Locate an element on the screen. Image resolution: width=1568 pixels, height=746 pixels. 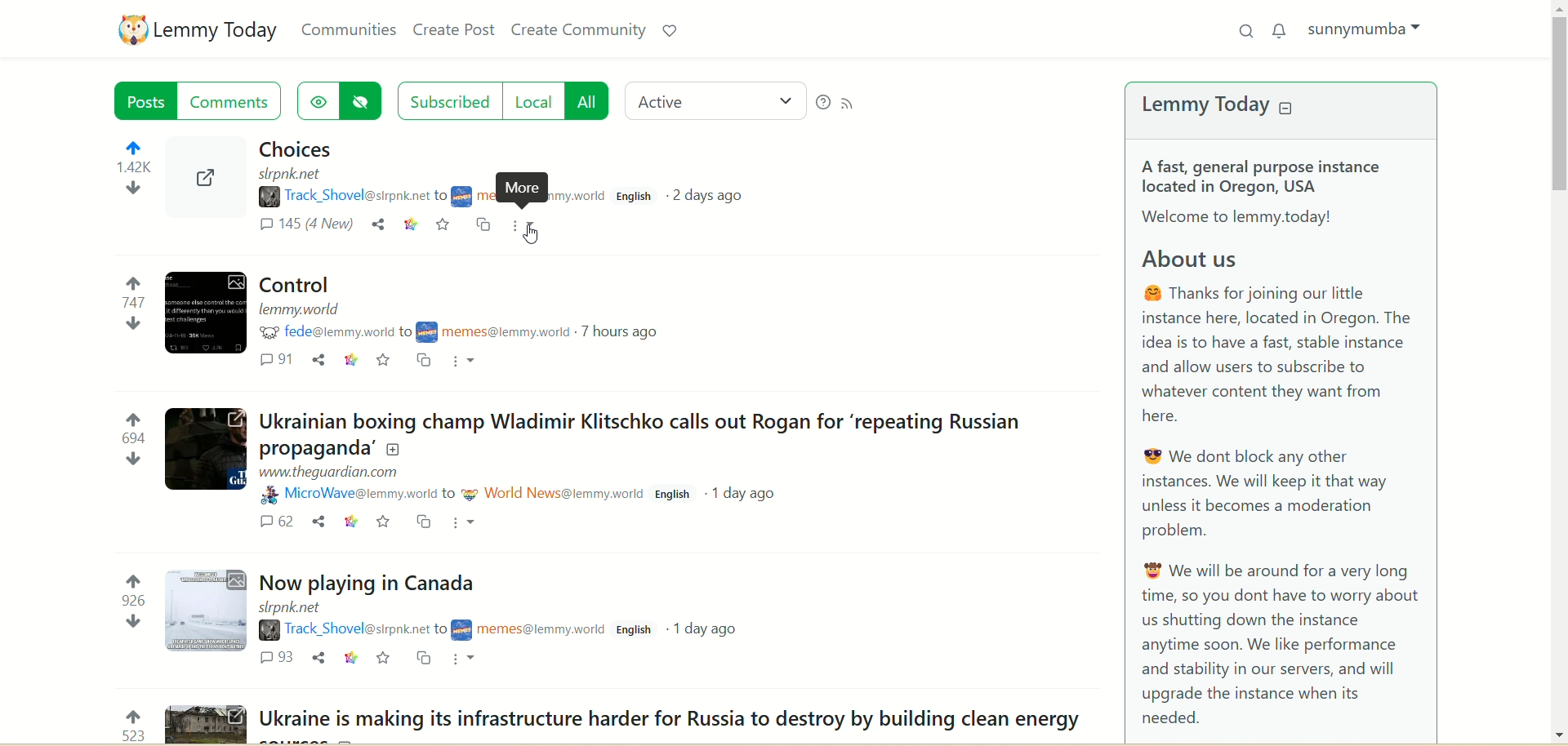
cross-post is located at coordinates (484, 227).